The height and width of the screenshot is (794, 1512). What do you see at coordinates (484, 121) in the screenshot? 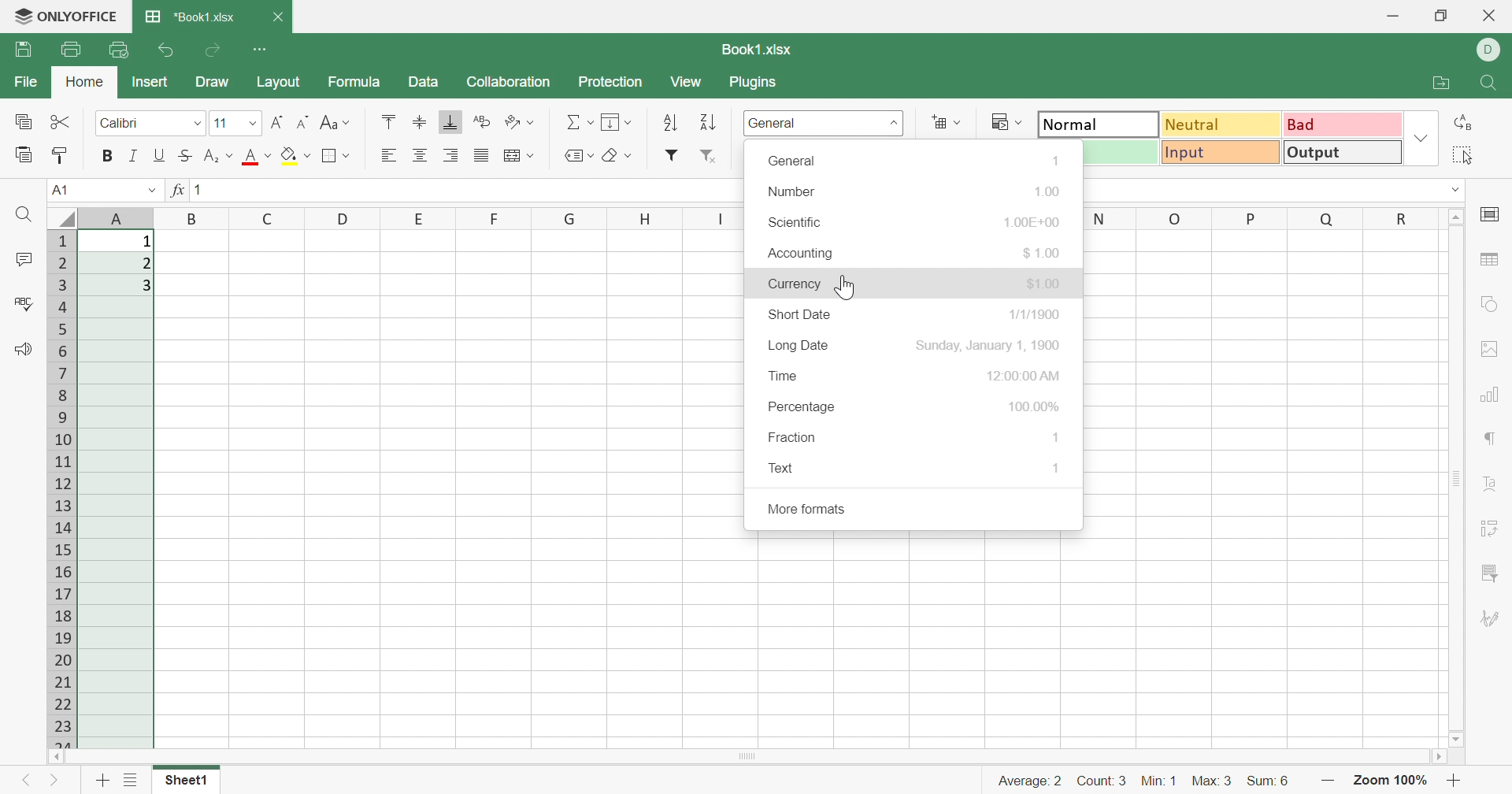
I see `Wrap text` at bounding box center [484, 121].